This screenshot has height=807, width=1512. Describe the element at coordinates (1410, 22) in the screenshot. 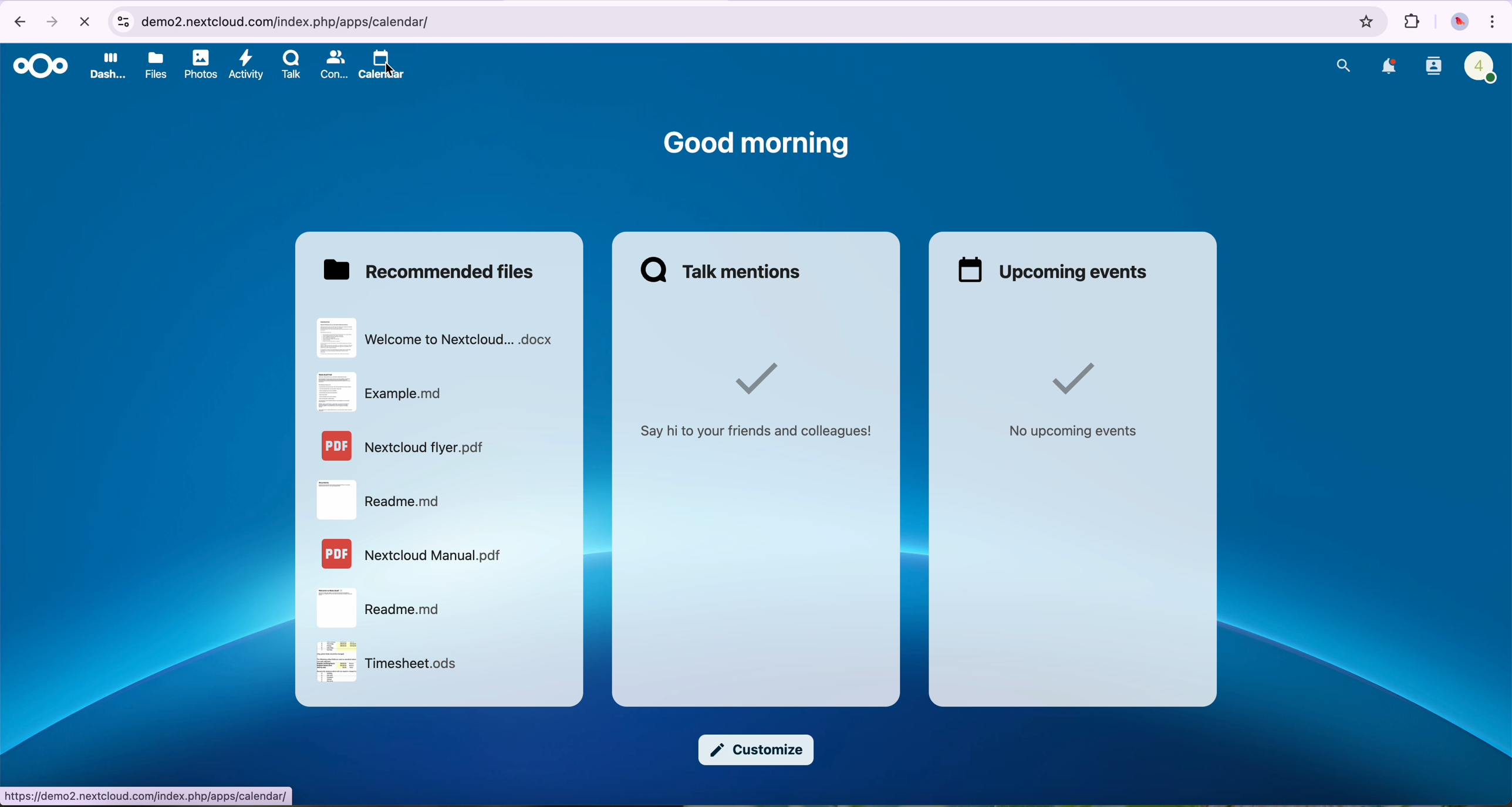

I see `extensions` at that location.